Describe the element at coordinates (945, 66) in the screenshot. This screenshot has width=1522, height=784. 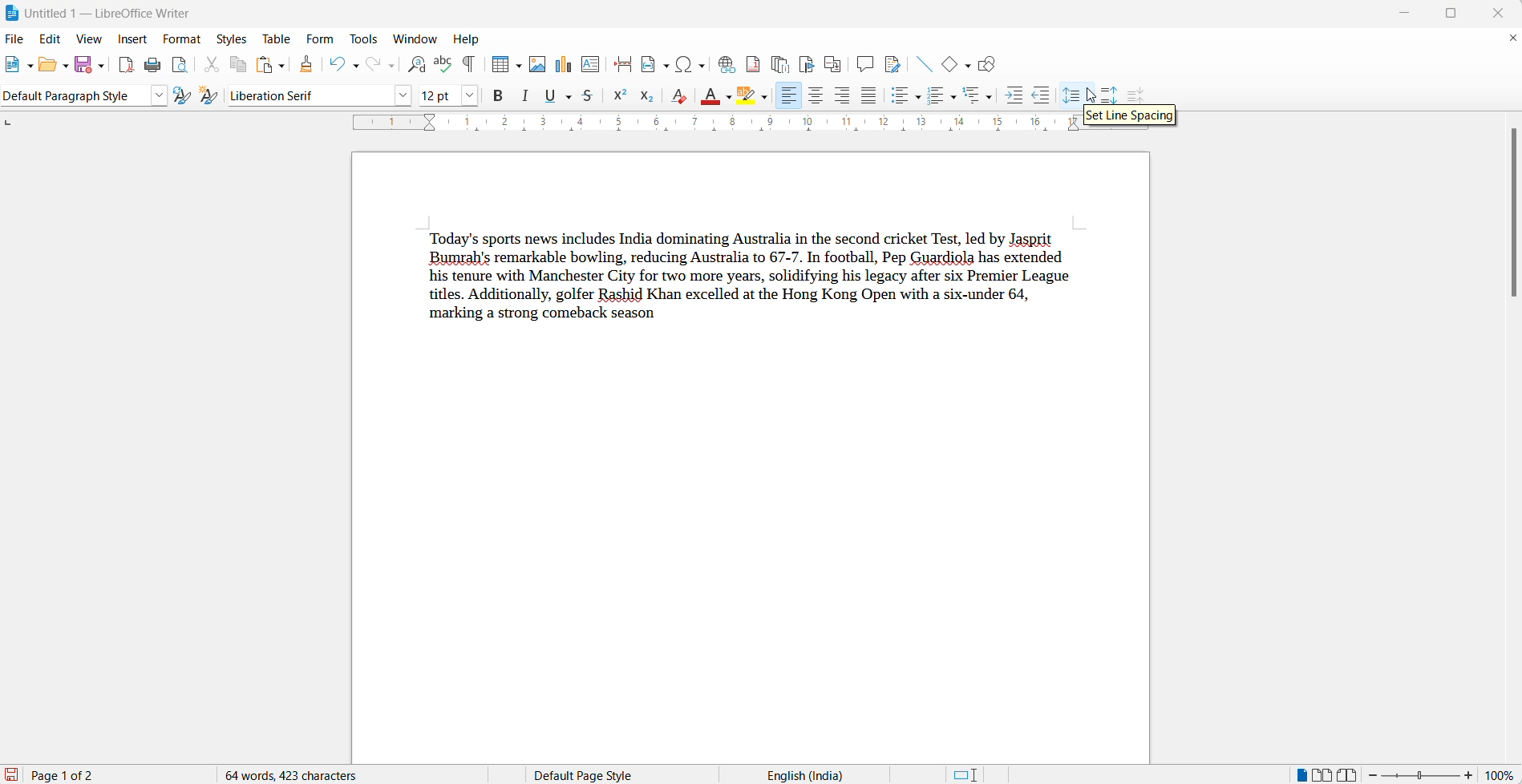
I see `basic shapes` at that location.